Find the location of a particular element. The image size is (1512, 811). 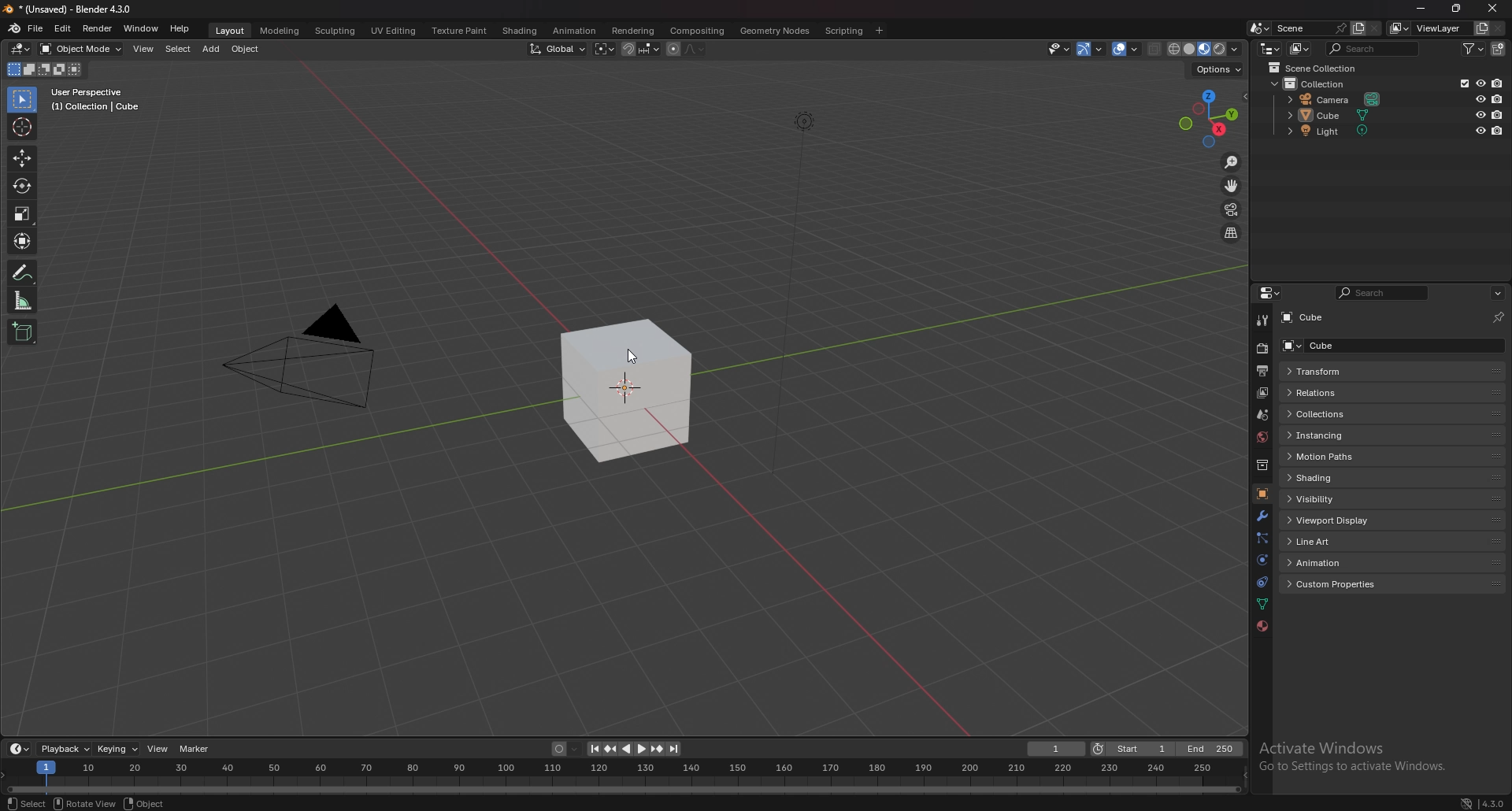

collection is located at coordinates (1322, 83).